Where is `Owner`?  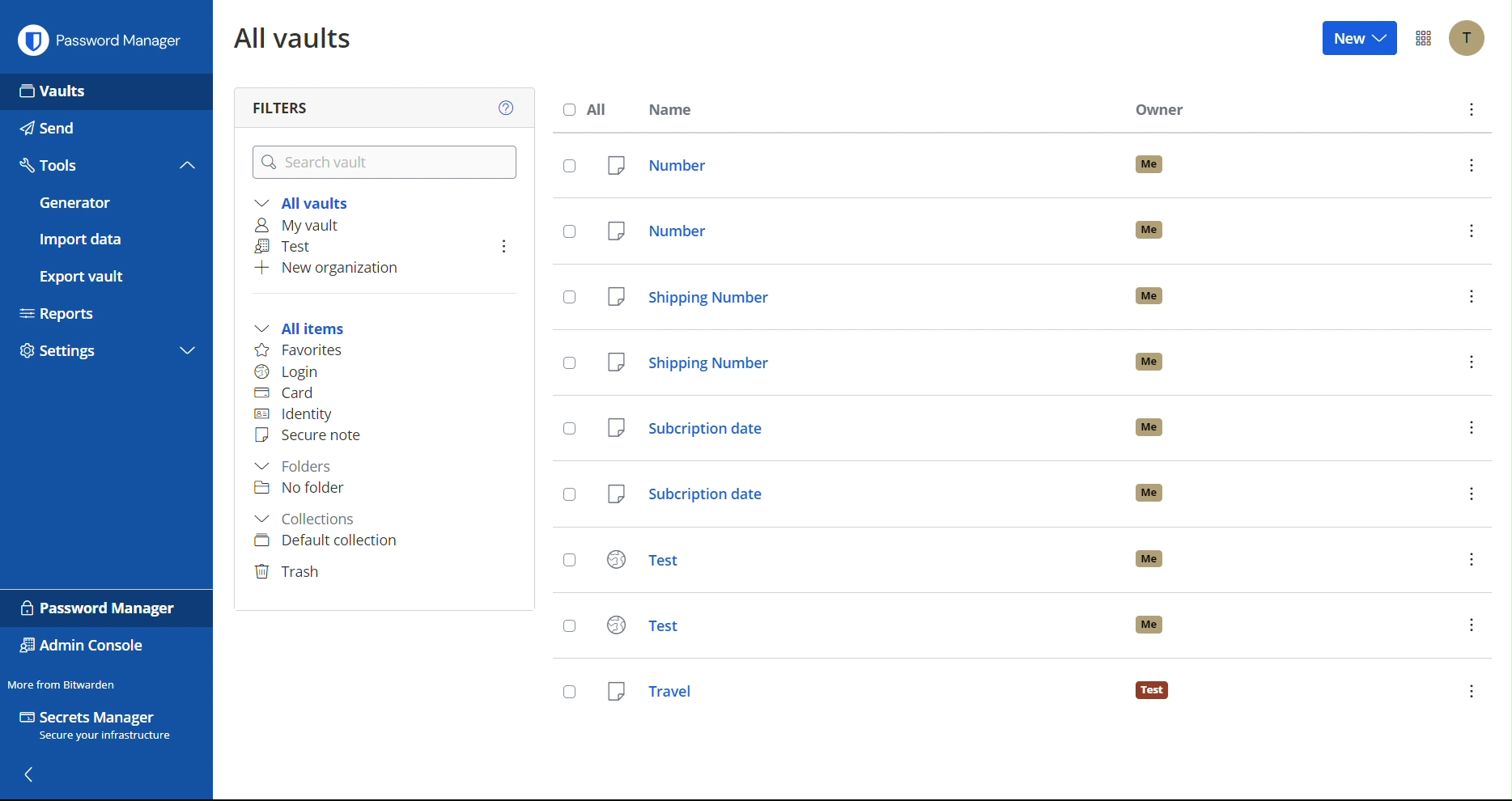 Owner is located at coordinates (1160, 110).